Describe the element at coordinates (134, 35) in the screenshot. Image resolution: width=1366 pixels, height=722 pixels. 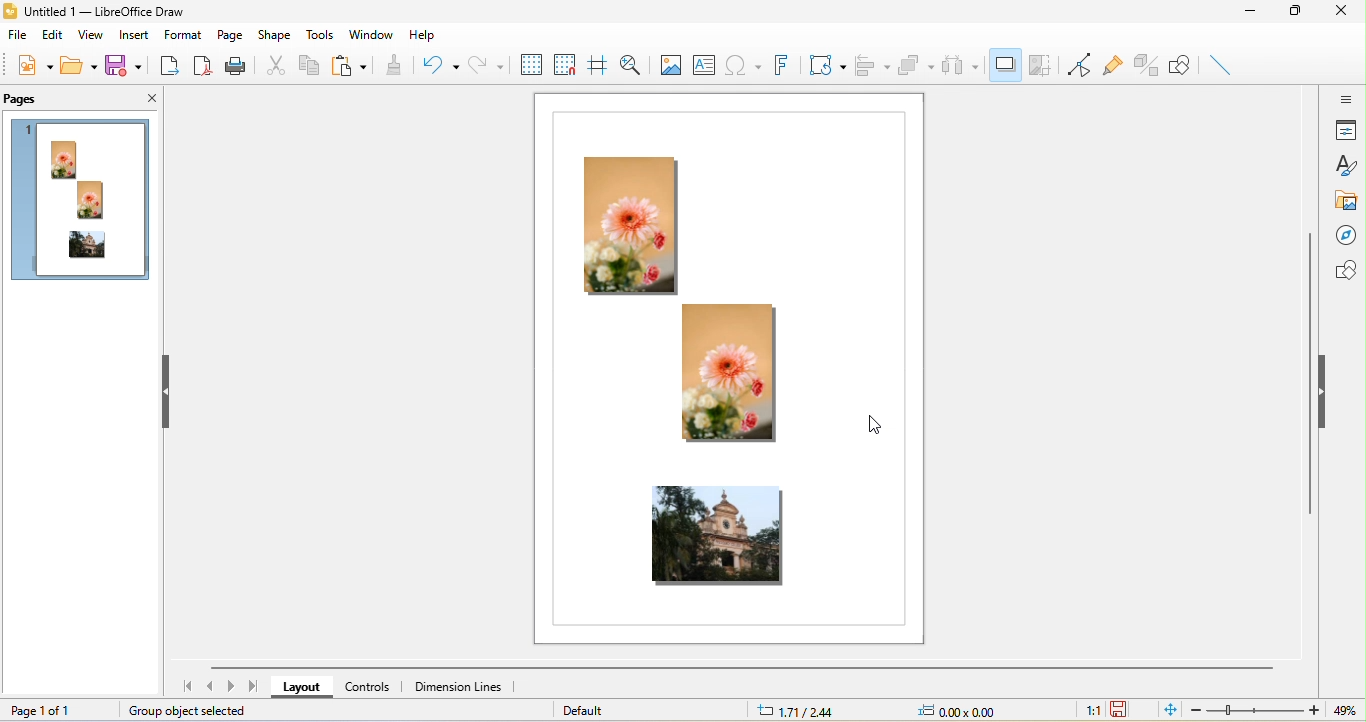
I see `insert` at that location.